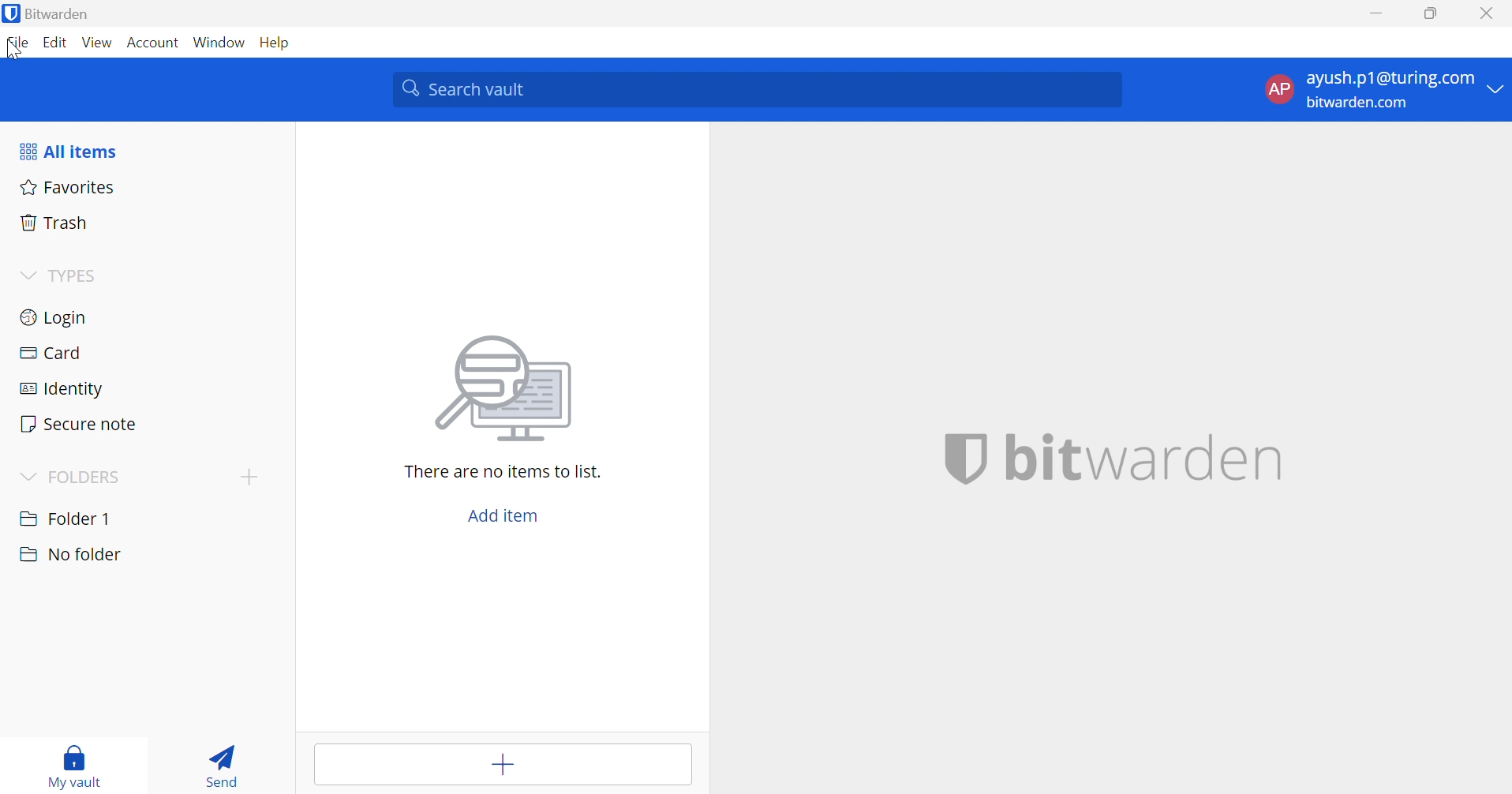  Describe the element at coordinates (278, 41) in the screenshot. I see `Help` at that location.